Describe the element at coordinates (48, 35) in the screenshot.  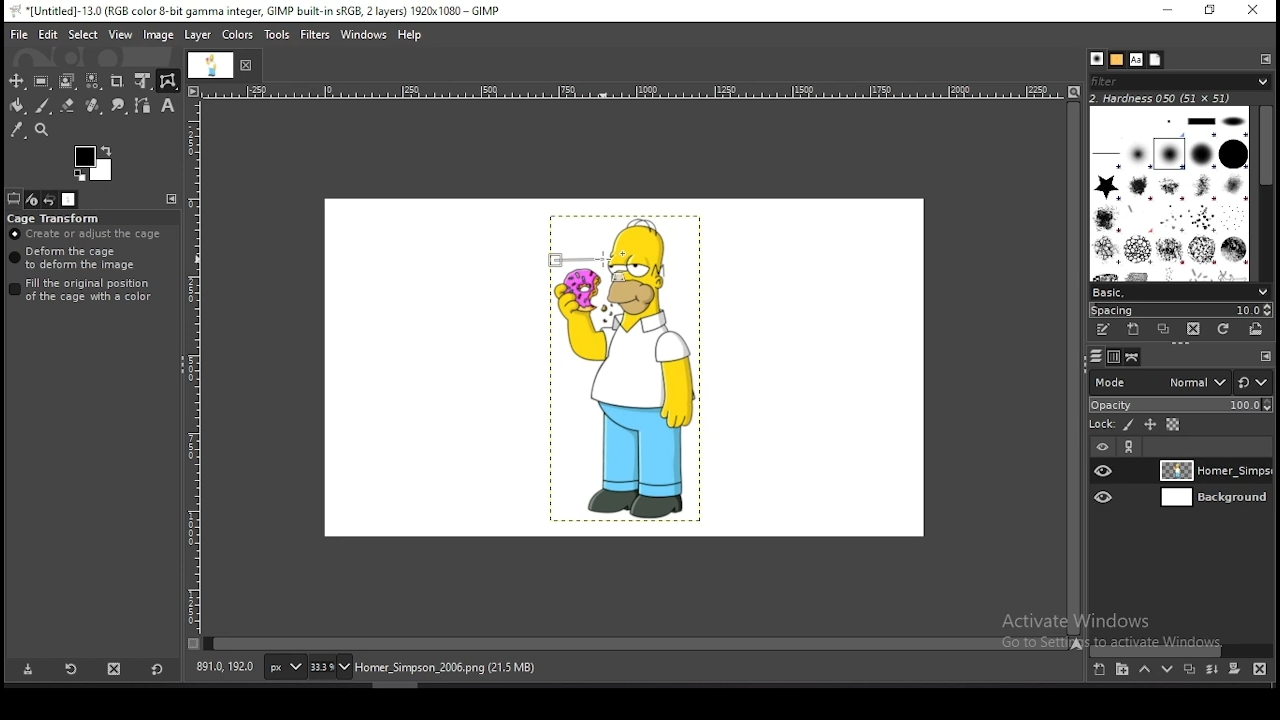
I see `edit` at that location.